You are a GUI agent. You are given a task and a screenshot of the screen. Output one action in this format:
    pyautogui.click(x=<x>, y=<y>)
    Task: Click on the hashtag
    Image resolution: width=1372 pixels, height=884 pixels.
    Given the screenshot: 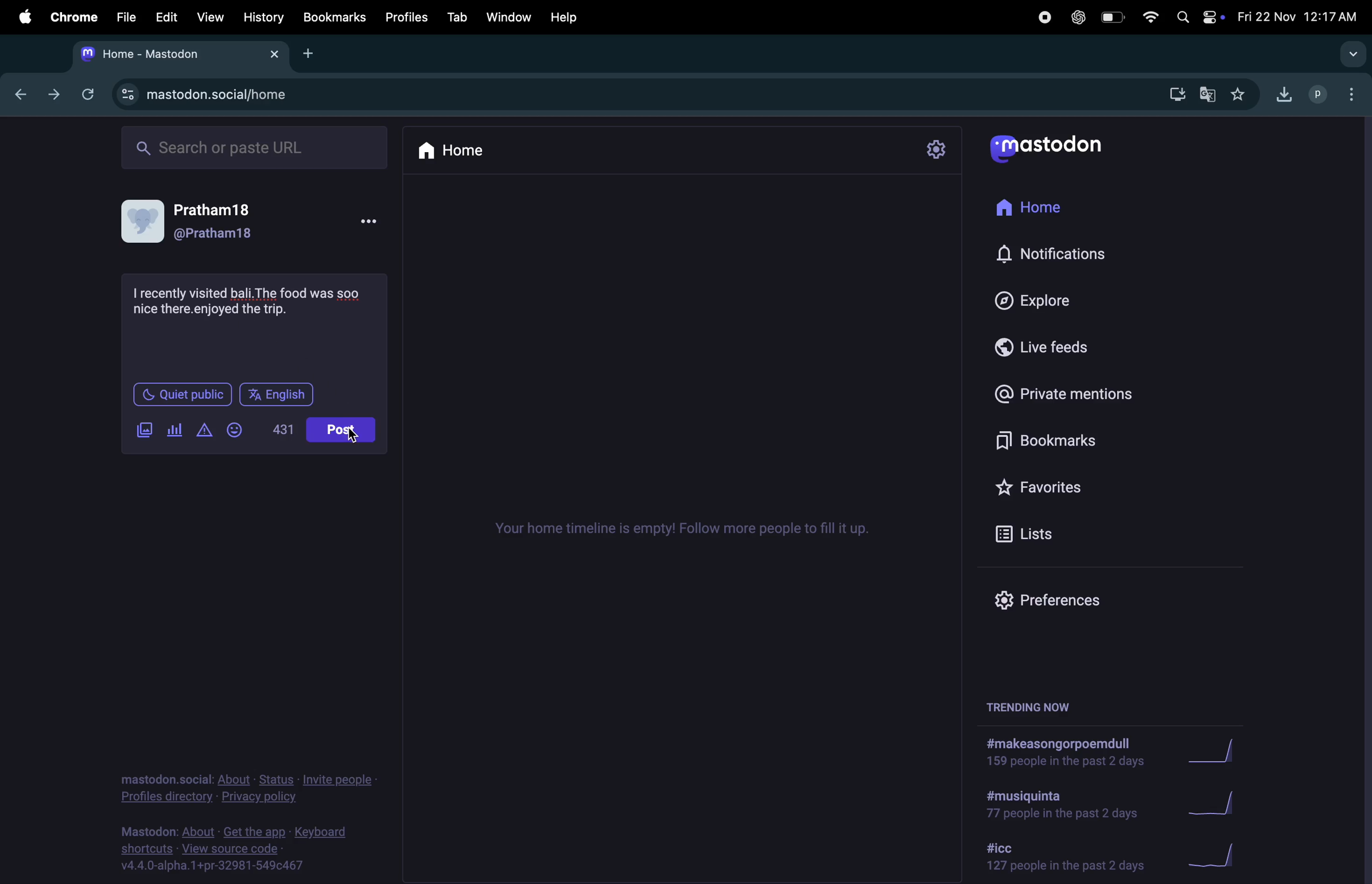 What is the action you would take?
    pyautogui.click(x=1062, y=857)
    